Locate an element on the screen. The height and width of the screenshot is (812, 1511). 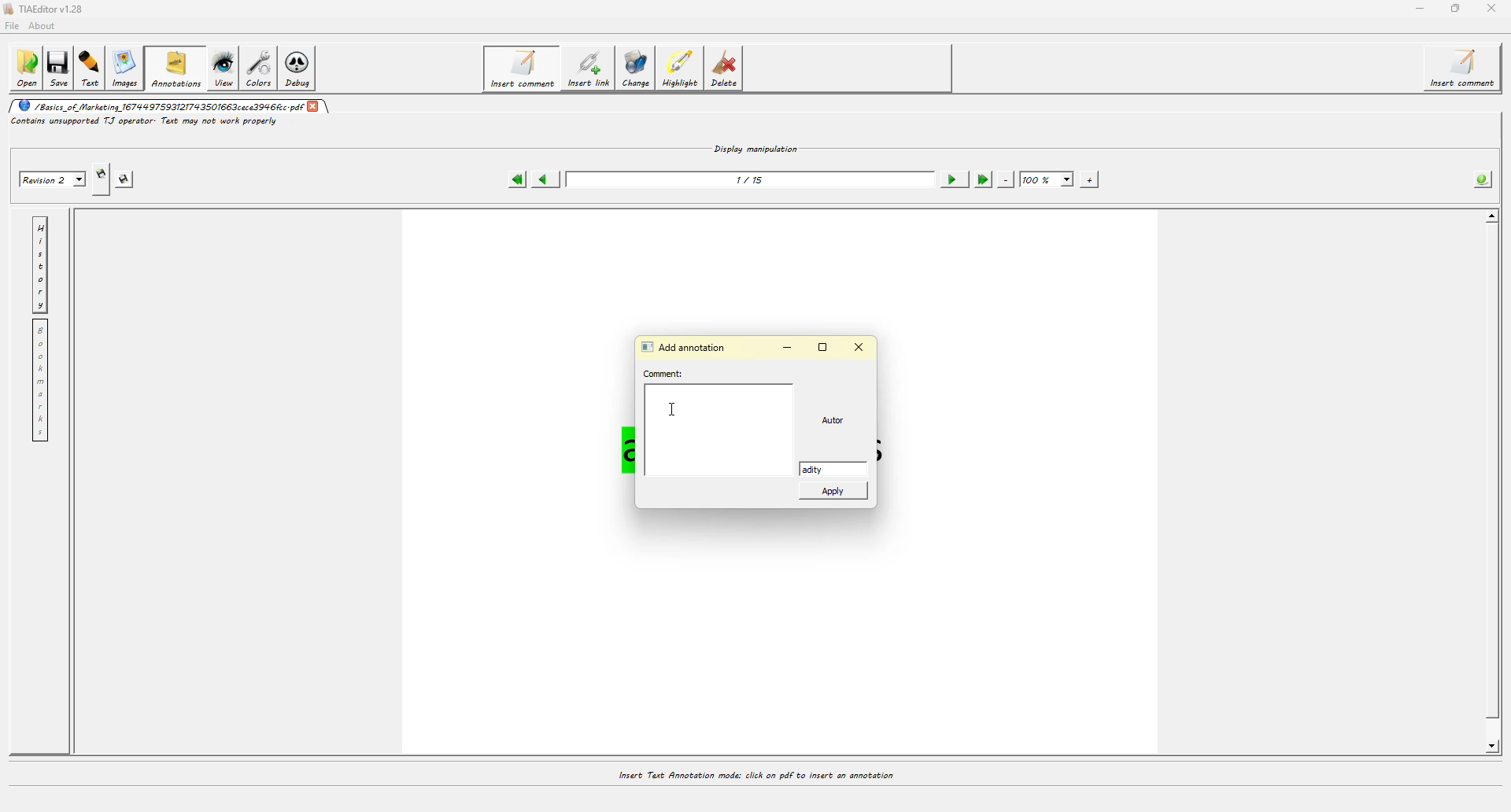
scroll down is located at coordinates (1487, 747).